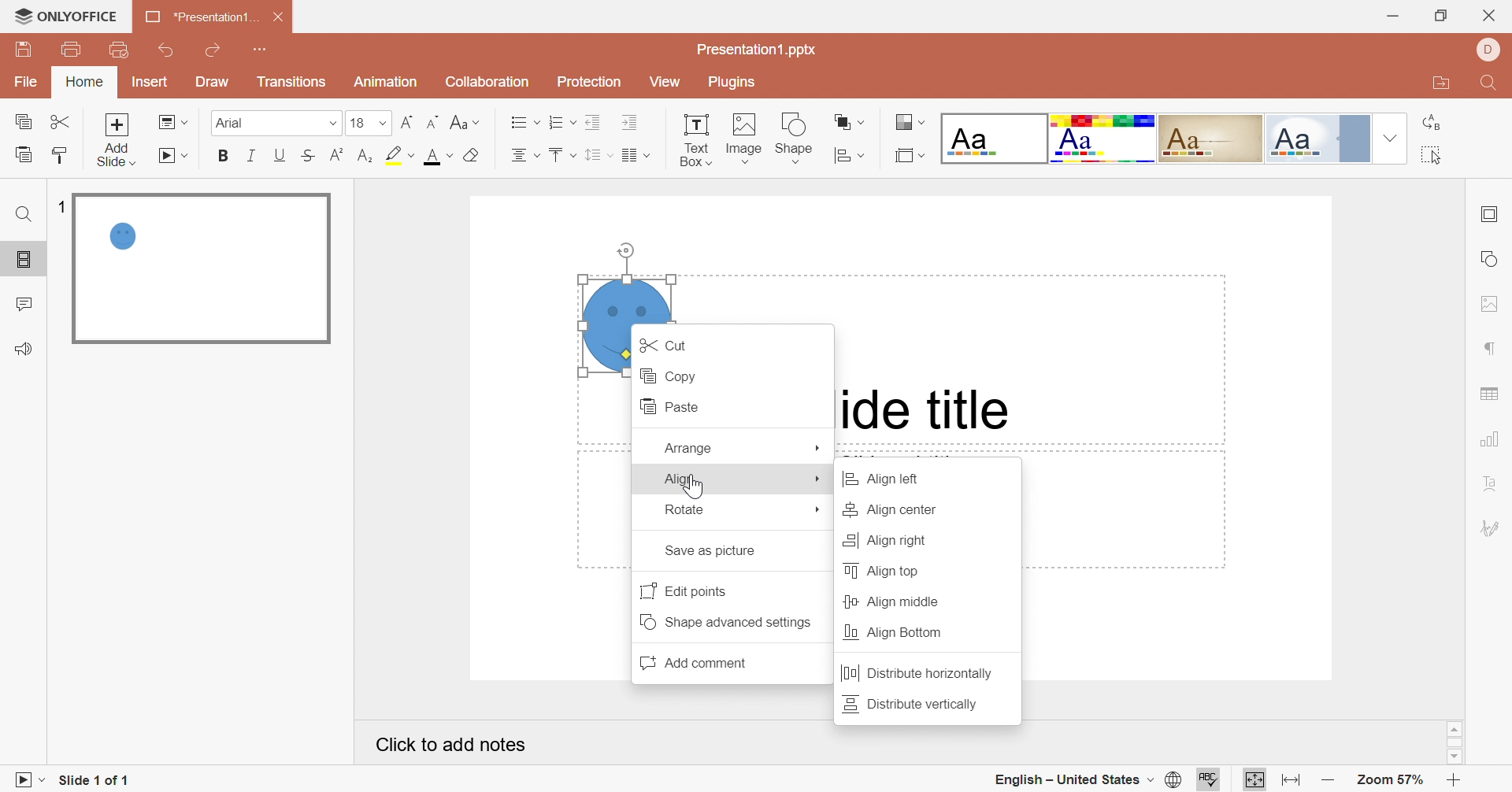  What do you see at coordinates (117, 48) in the screenshot?
I see `Quick Print` at bounding box center [117, 48].